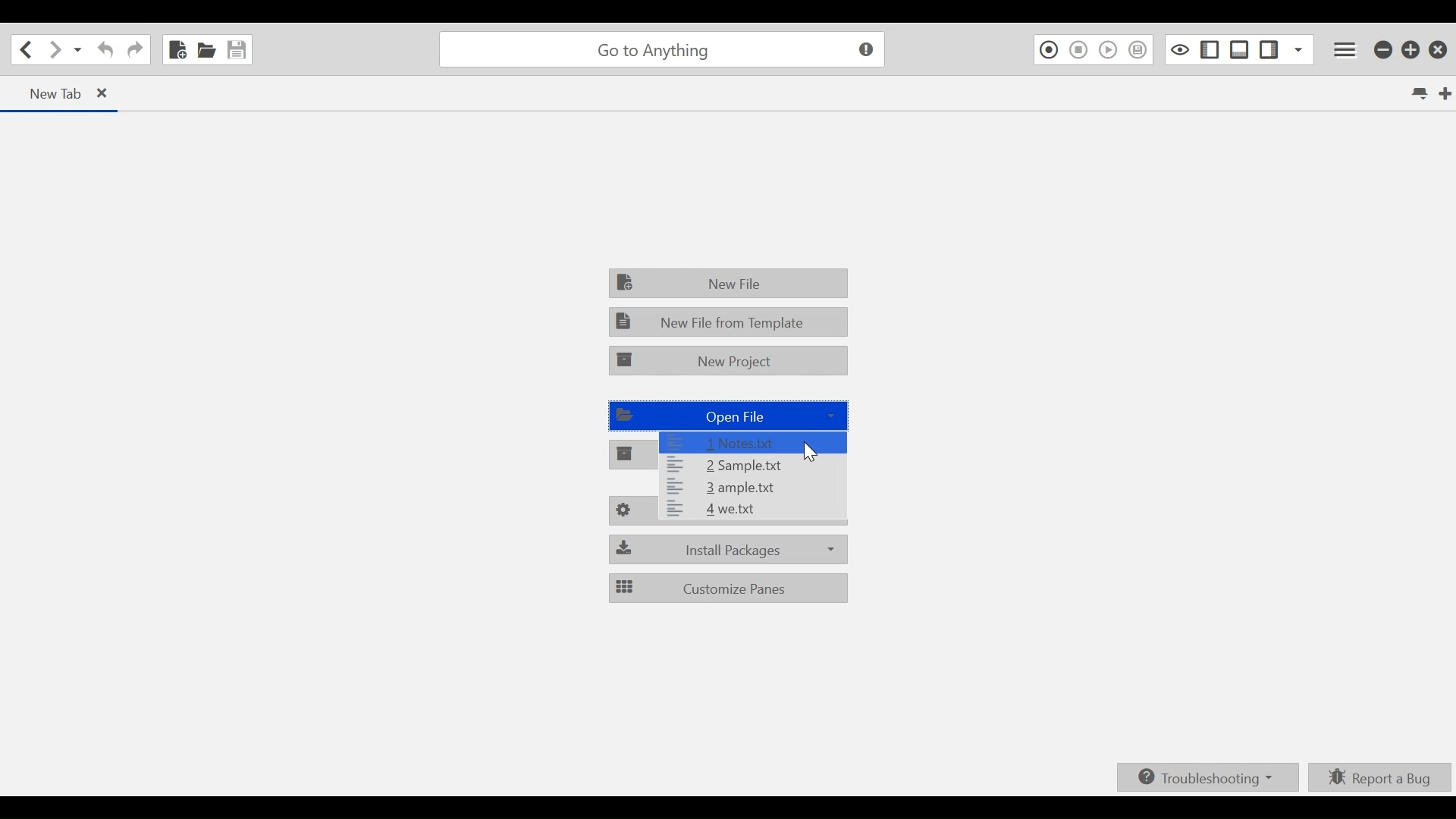 This screenshot has width=1456, height=819. I want to click on Go to Anything, so click(666, 50).